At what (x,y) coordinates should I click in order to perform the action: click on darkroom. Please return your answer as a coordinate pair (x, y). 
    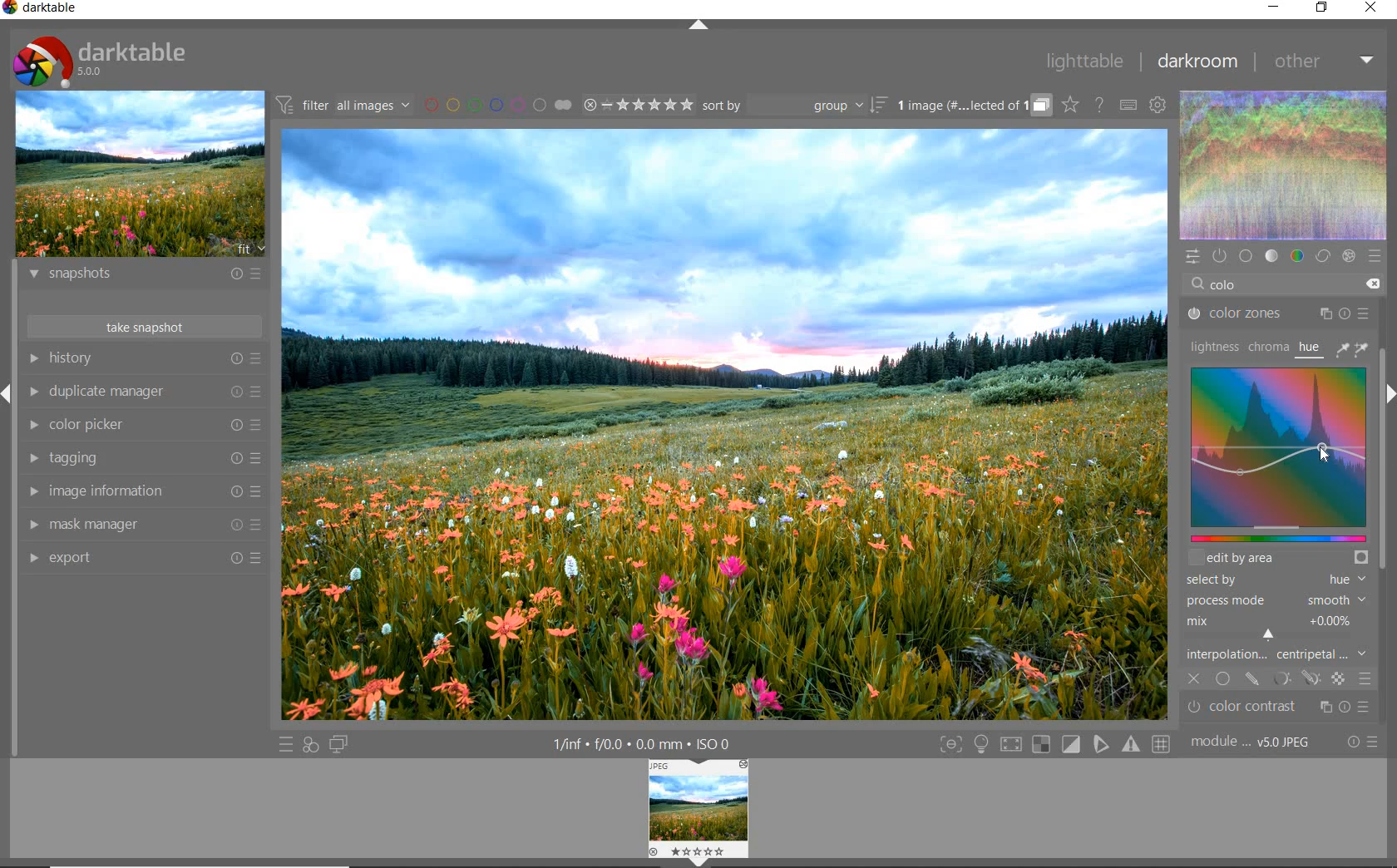
    Looking at the image, I should click on (1199, 62).